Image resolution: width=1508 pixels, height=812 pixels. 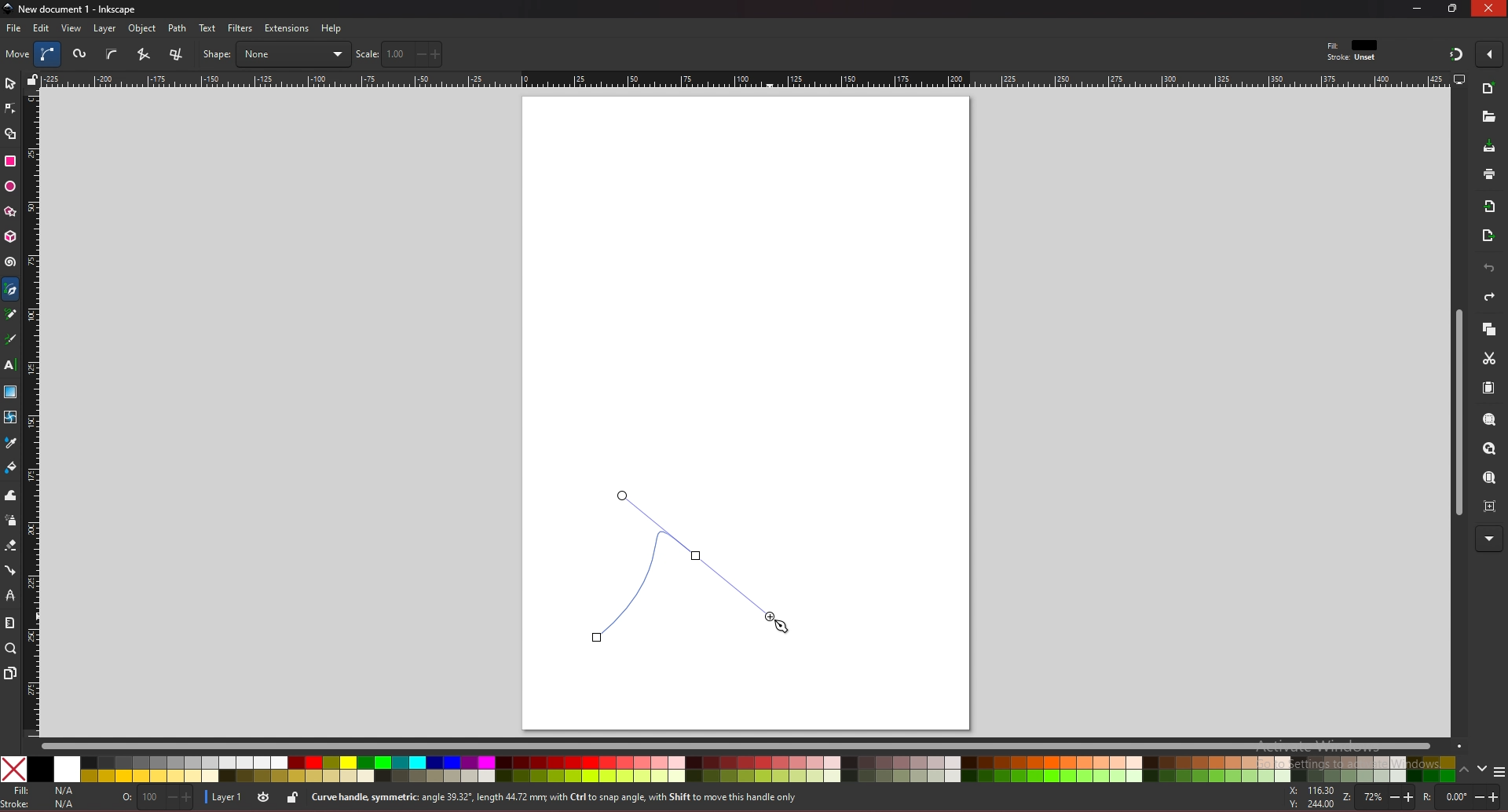 What do you see at coordinates (1354, 46) in the screenshot?
I see `fit` at bounding box center [1354, 46].